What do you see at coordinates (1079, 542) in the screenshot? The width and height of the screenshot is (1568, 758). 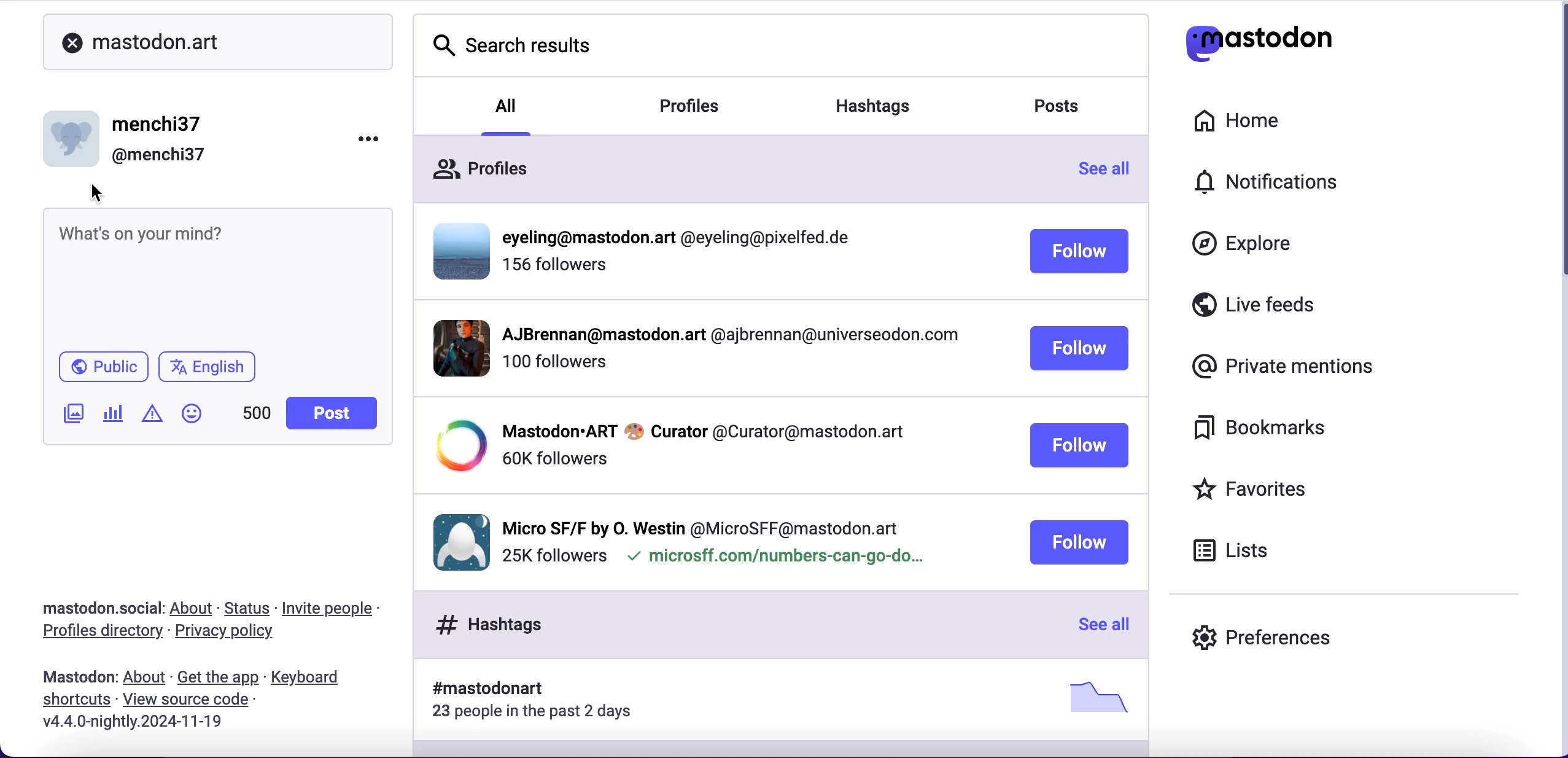 I see `follow` at bounding box center [1079, 542].